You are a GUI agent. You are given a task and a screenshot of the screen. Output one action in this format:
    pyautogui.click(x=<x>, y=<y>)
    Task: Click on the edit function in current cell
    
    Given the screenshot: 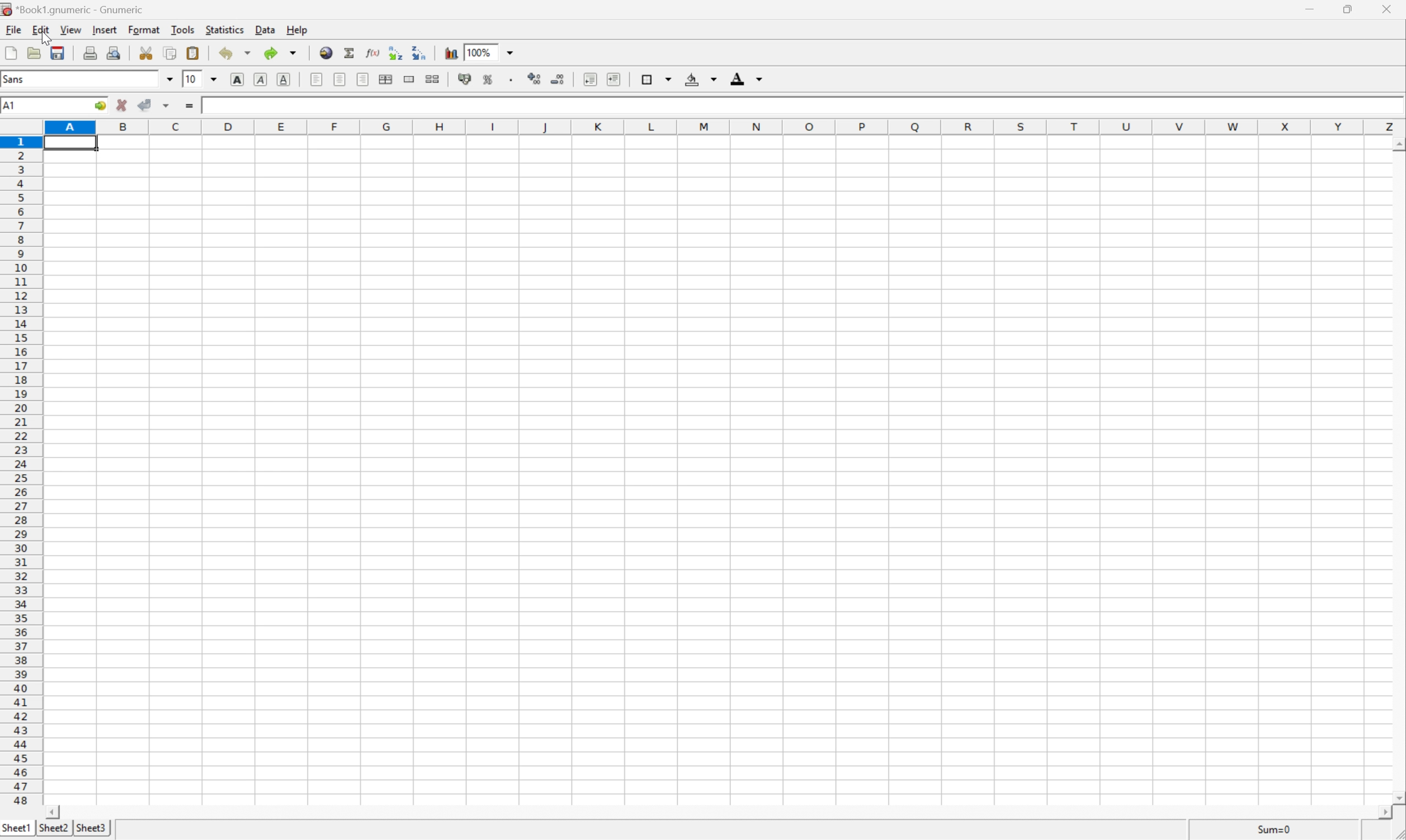 What is the action you would take?
    pyautogui.click(x=374, y=52)
    